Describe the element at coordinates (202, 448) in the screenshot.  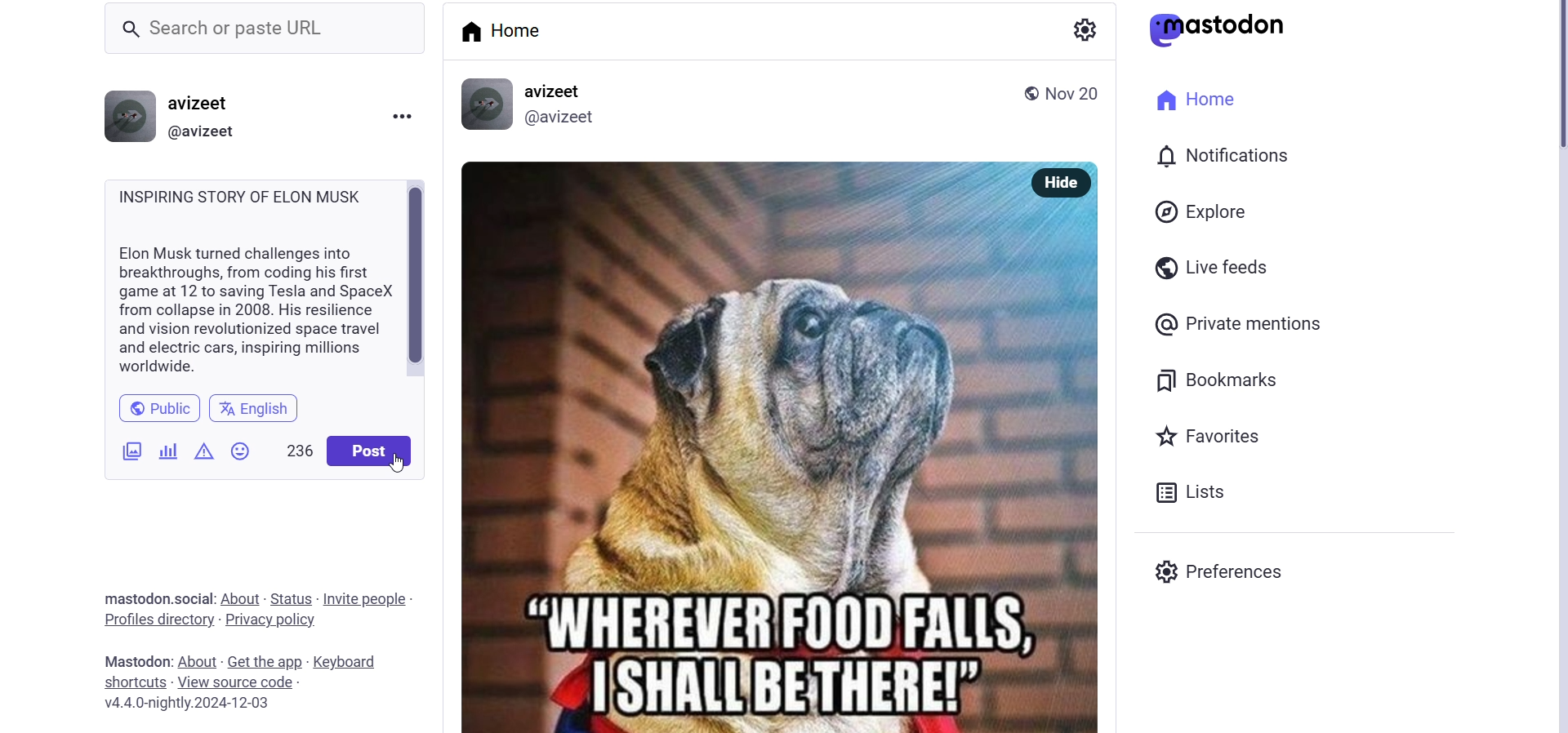
I see `content warning` at that location.